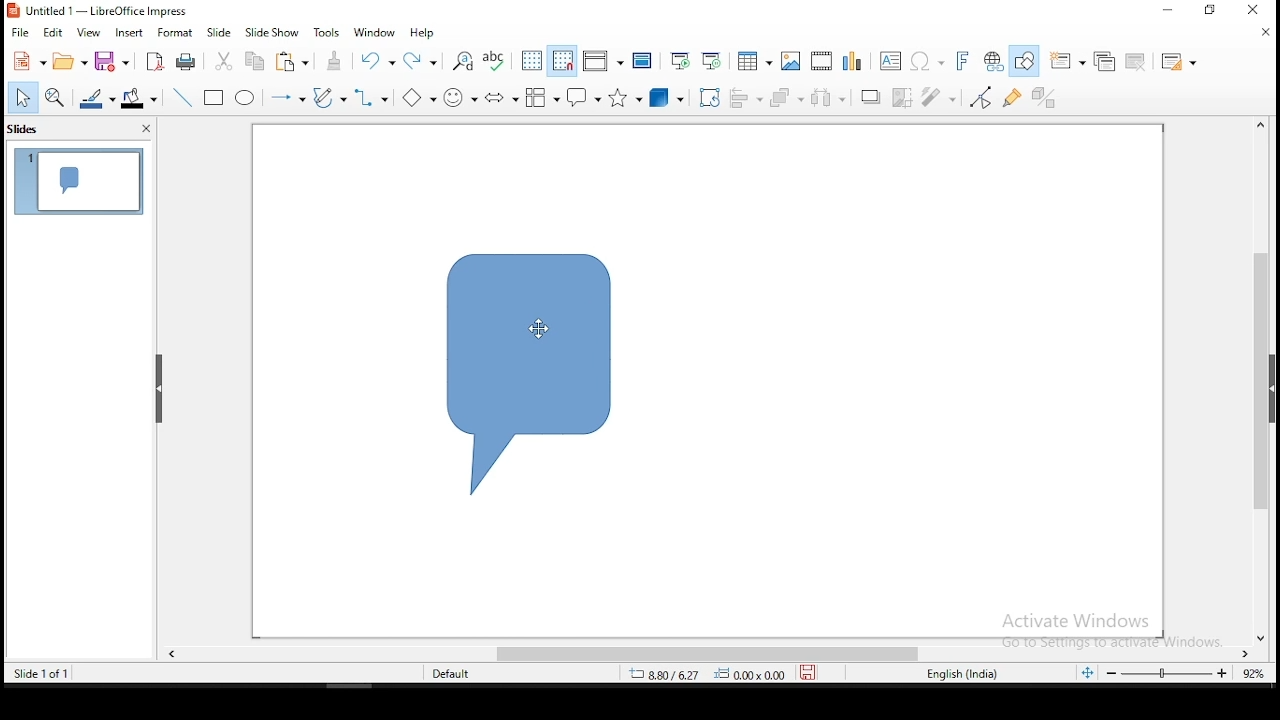 This screenshot has height=720, width=1280. Describe the element at coordinates (329, 98) in the screenshot. I see `curves and polygons` at that location.